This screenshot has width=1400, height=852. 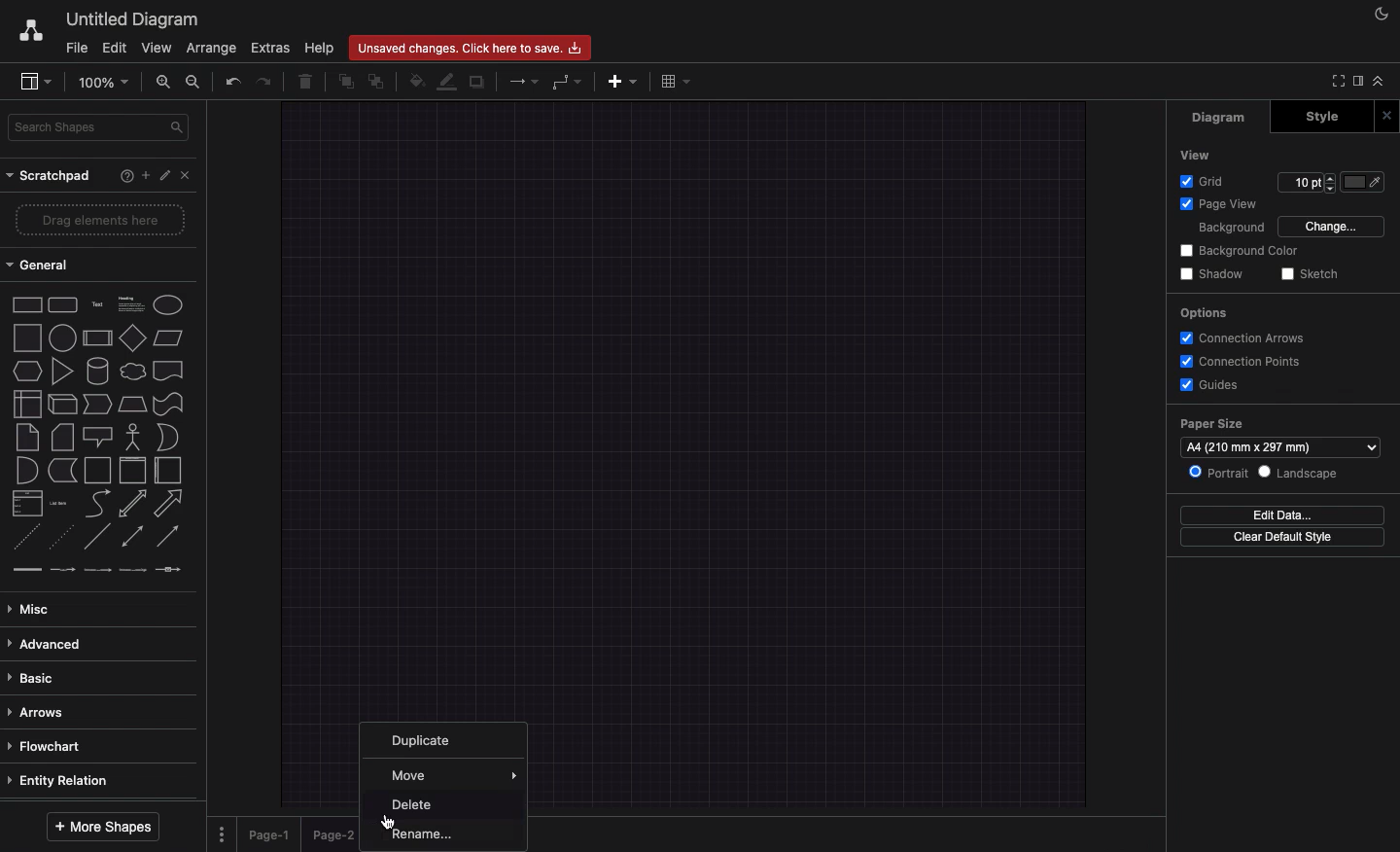 What do you see at coordinates (391, 821) in the screenshot?
I see `Cursor` at bounding box center [391, 821].